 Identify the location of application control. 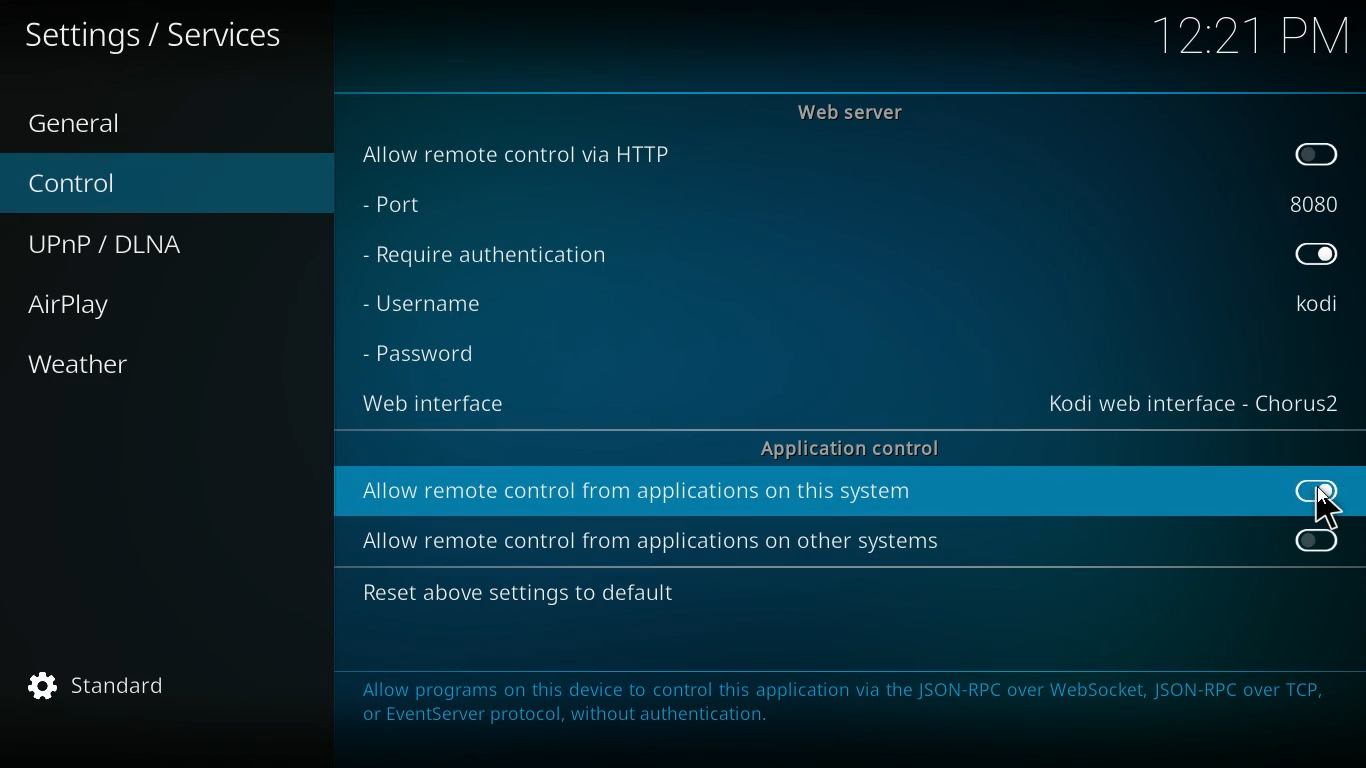
(850, 448).